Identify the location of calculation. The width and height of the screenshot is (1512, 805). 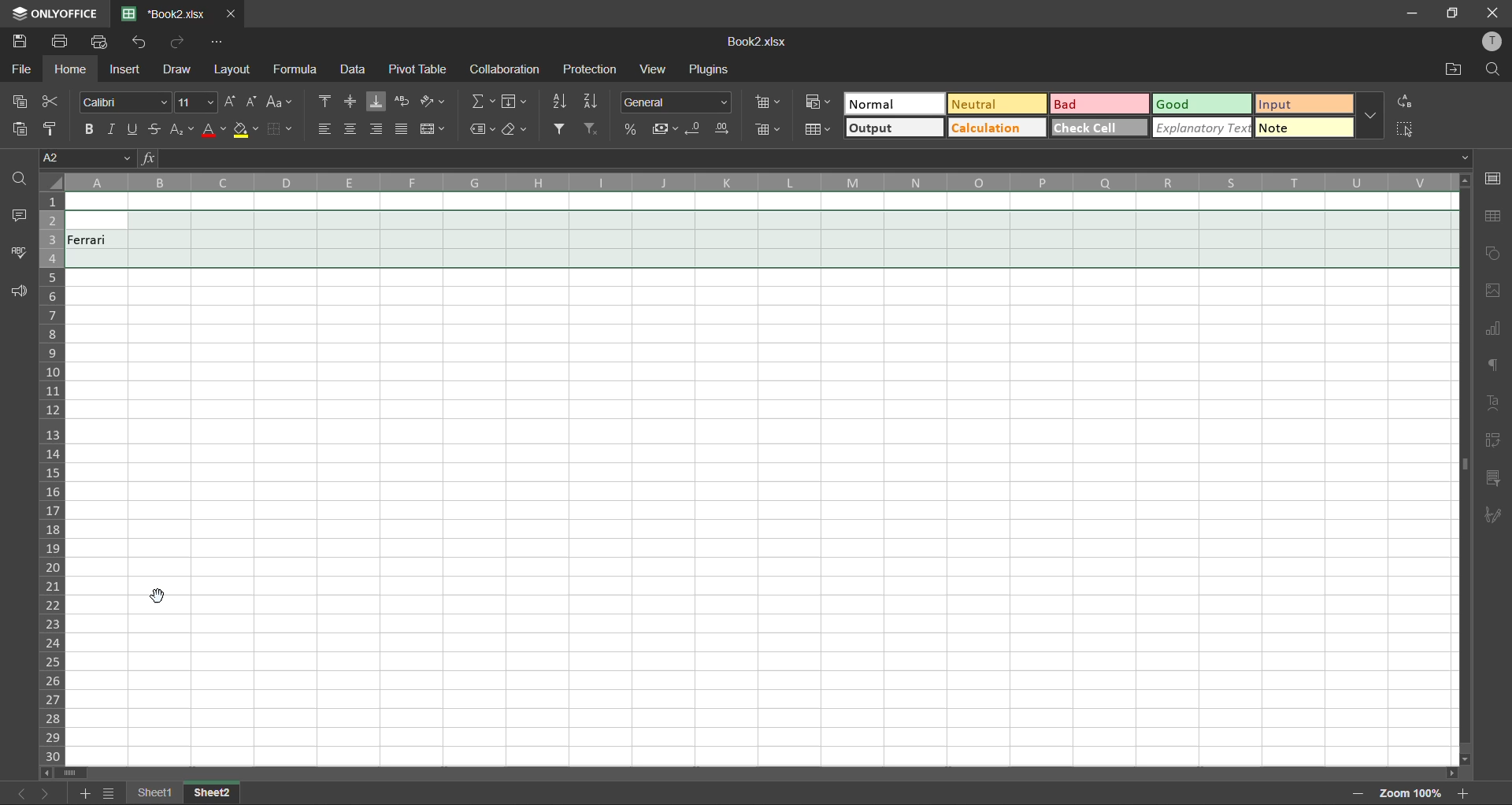
(995, 128).